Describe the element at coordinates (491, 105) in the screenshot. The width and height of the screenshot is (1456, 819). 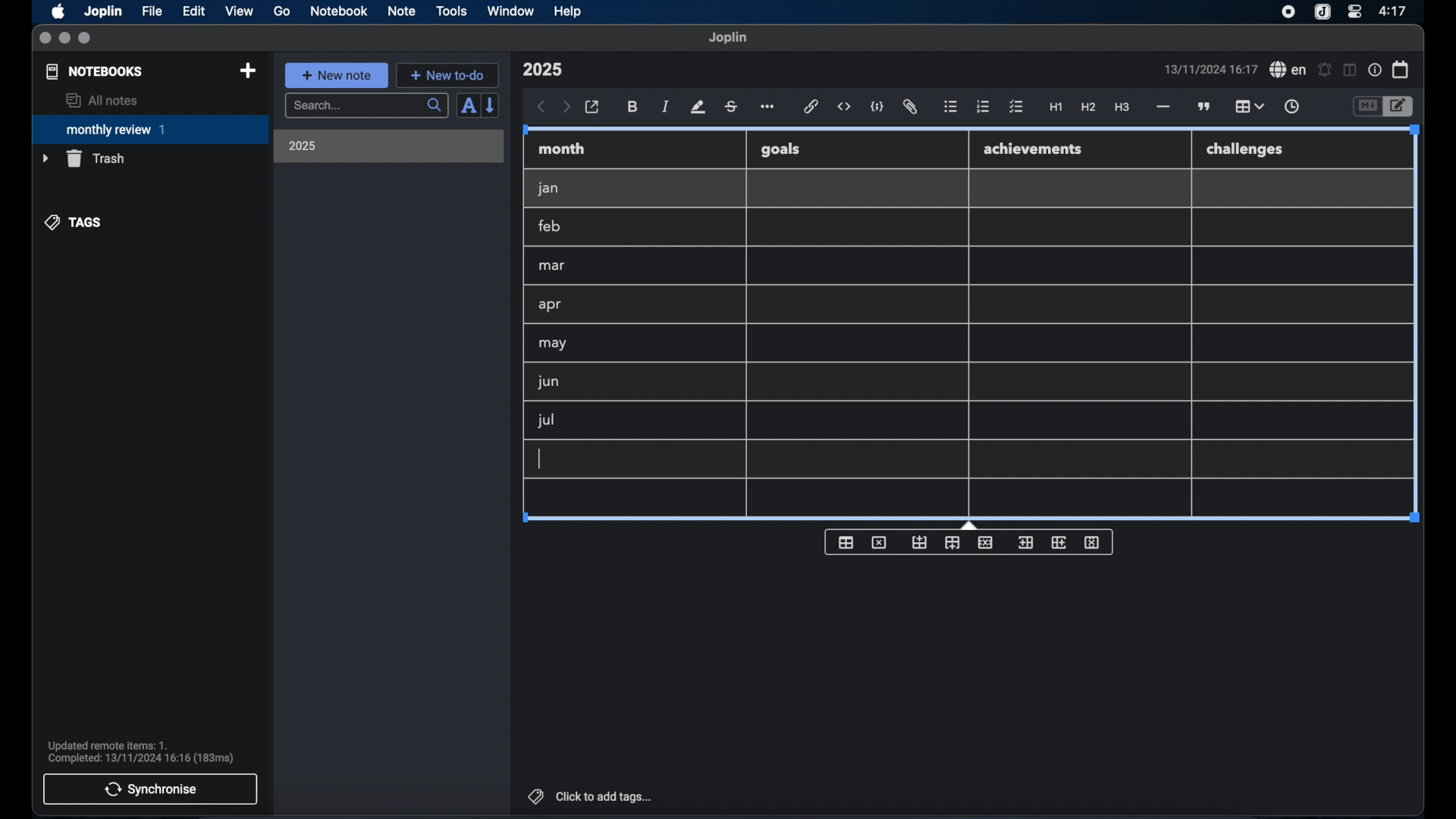
I see `reverse sort order` at that location.